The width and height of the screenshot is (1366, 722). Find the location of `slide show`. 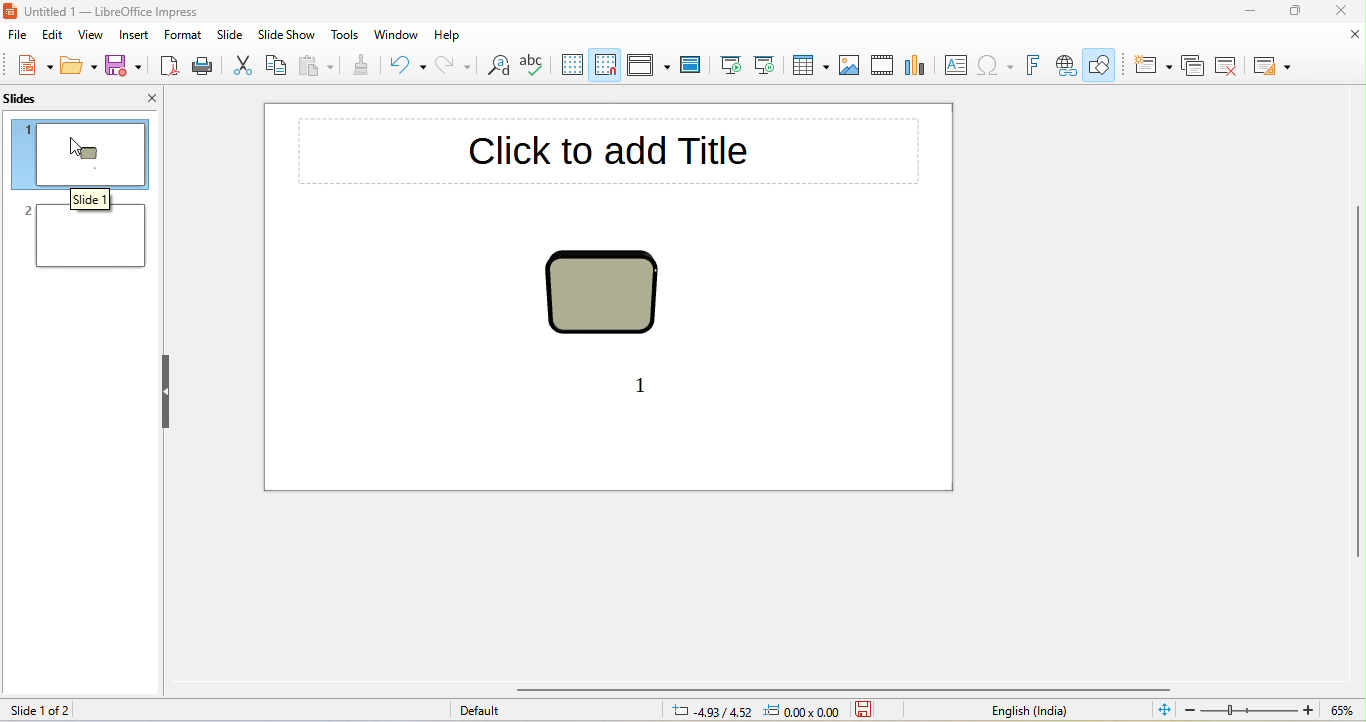

slide show is located at coordinates (285, 36).